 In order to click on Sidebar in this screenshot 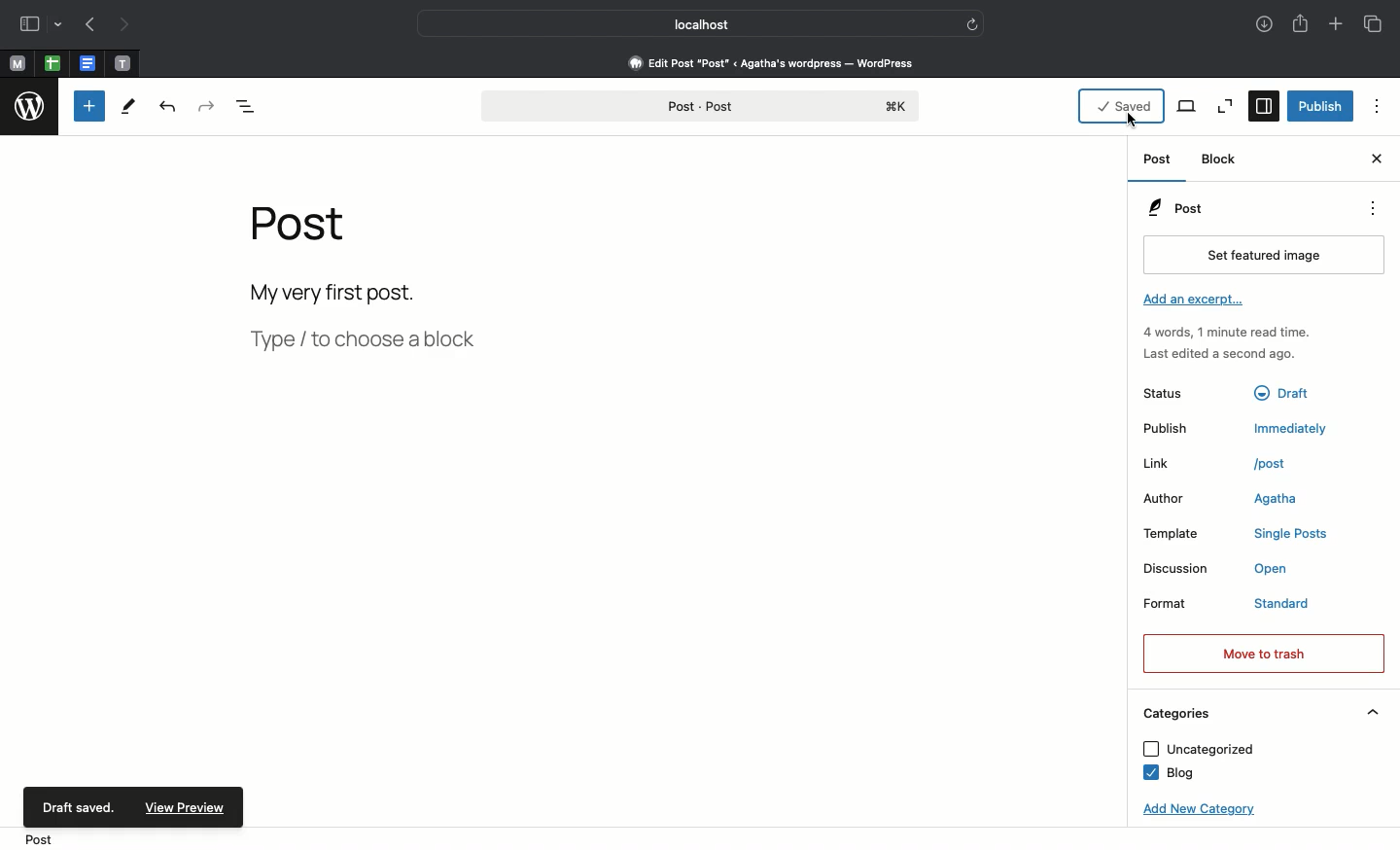, I will do `click(1264, 106)`.